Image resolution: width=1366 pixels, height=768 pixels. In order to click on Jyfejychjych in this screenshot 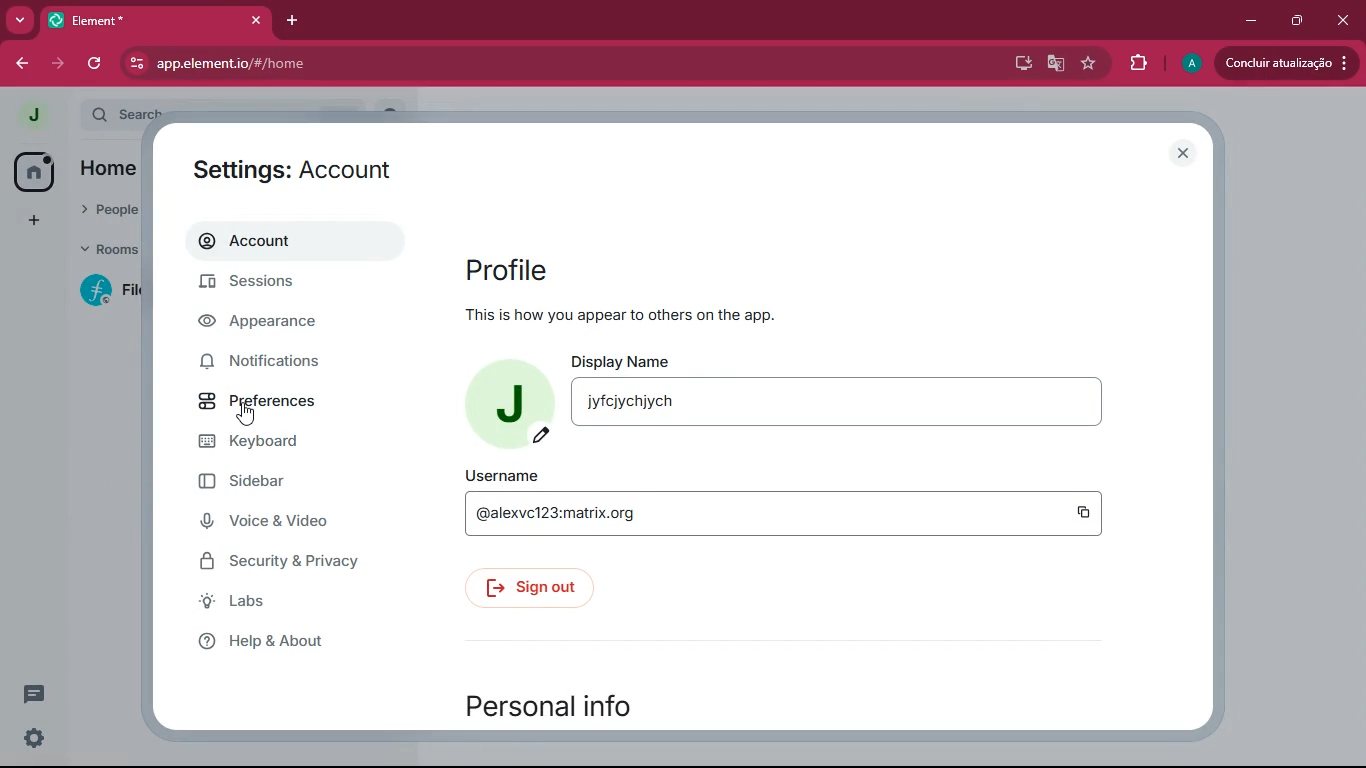, I will do `click(837, 402)`.